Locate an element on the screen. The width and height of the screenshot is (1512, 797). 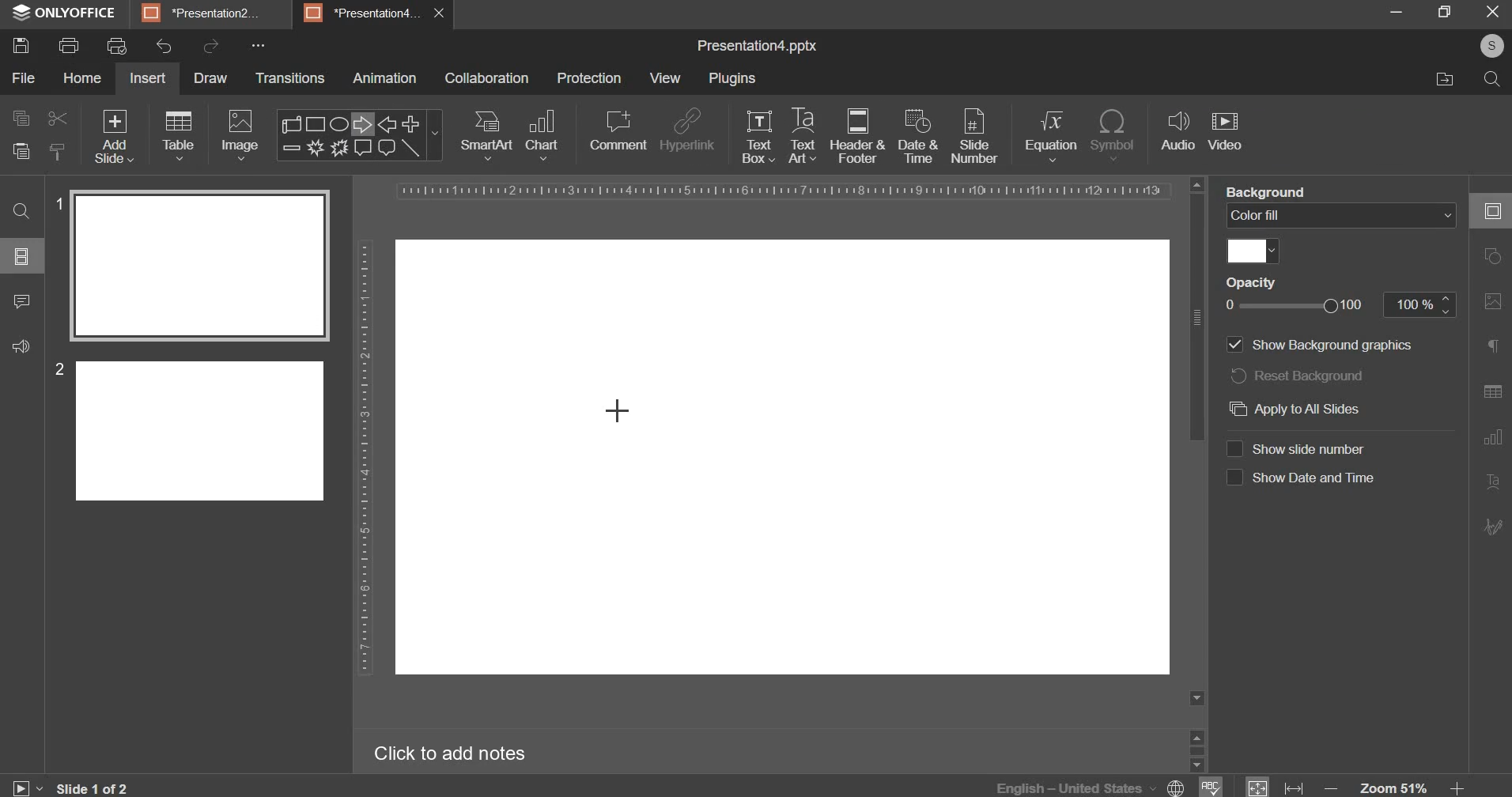
transitions is located at coordinates (291, 79).